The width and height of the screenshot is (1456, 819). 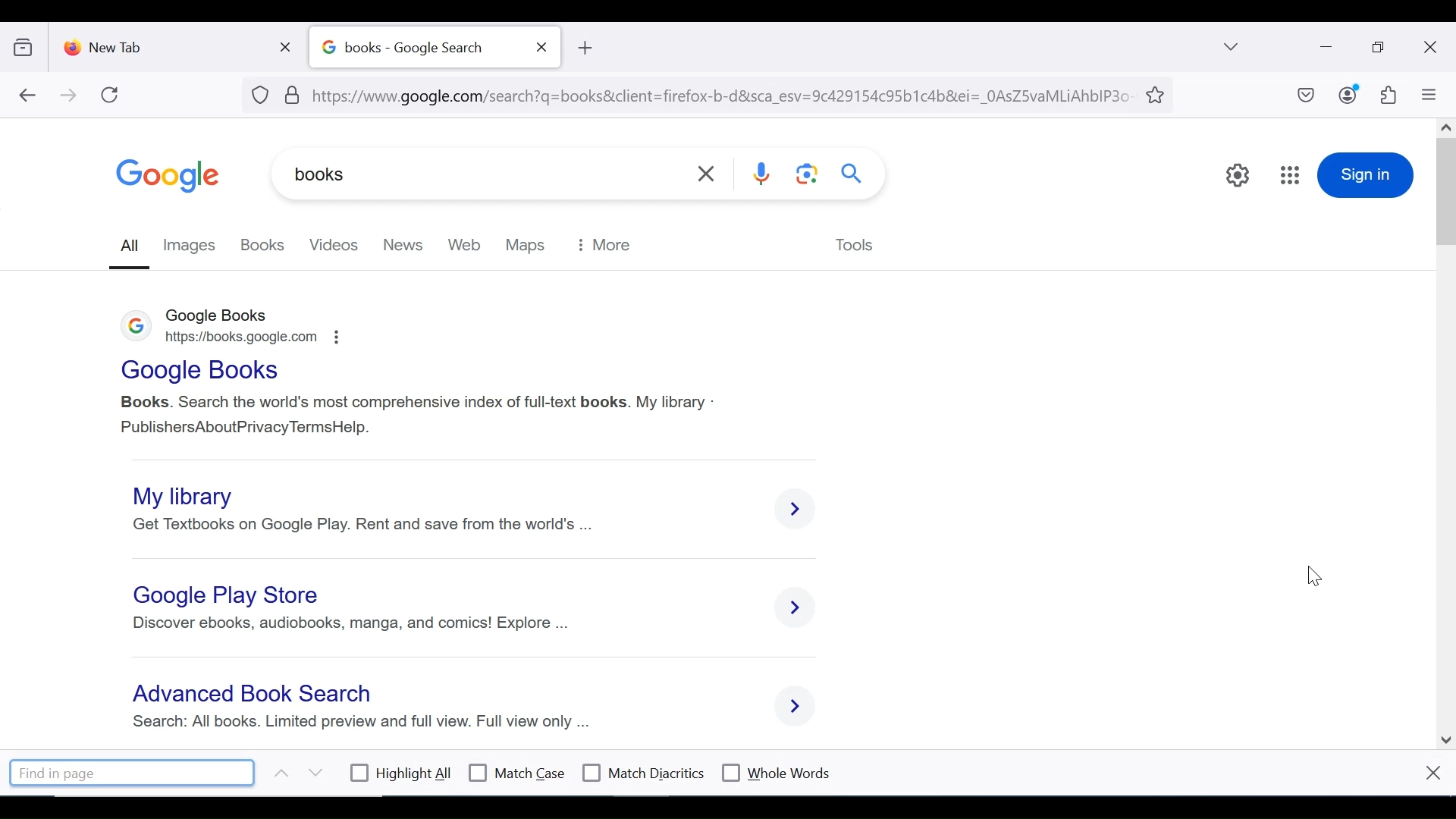 What do you see at coordinates (1324, 45) in the screenshot?
I see `minimize` at bounding box center [1324, 45].